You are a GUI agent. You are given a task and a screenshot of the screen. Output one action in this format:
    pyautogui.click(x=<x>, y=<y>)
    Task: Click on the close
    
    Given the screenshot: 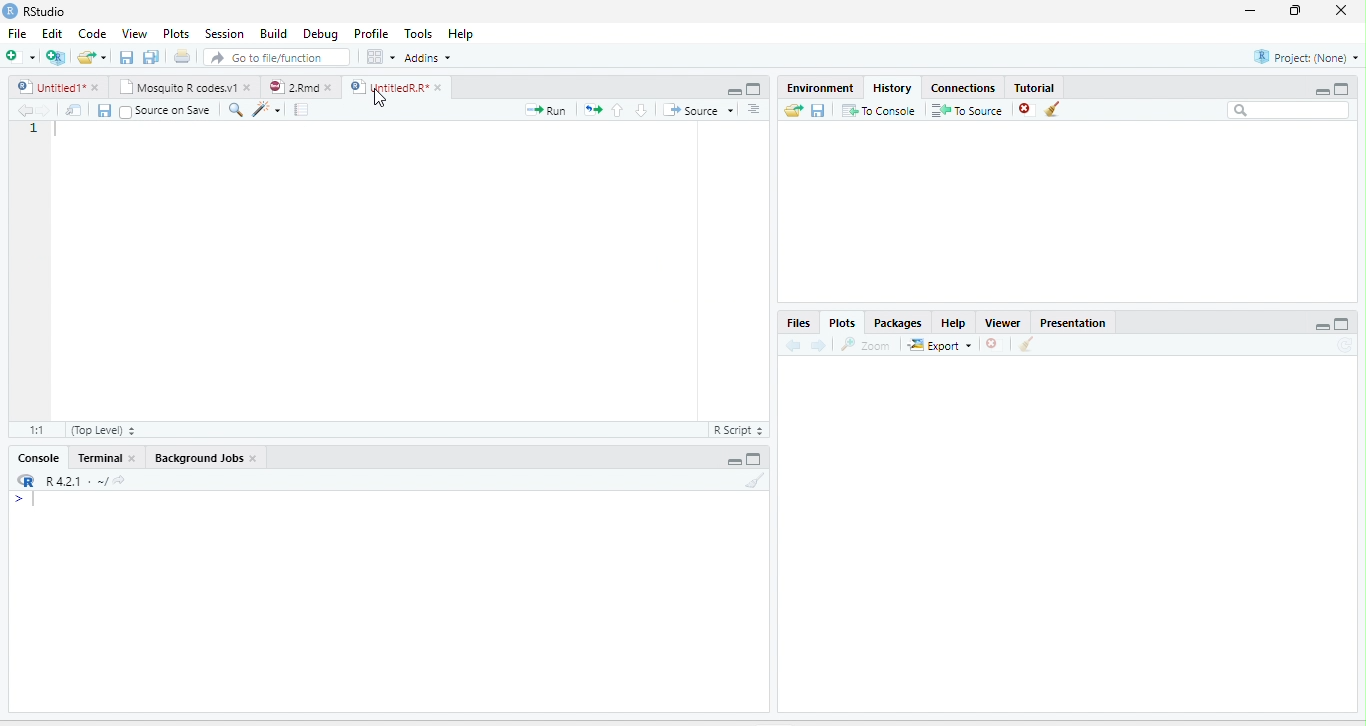 What is the action you would take?
    pyautogui.click(x=1341, y=11)
    